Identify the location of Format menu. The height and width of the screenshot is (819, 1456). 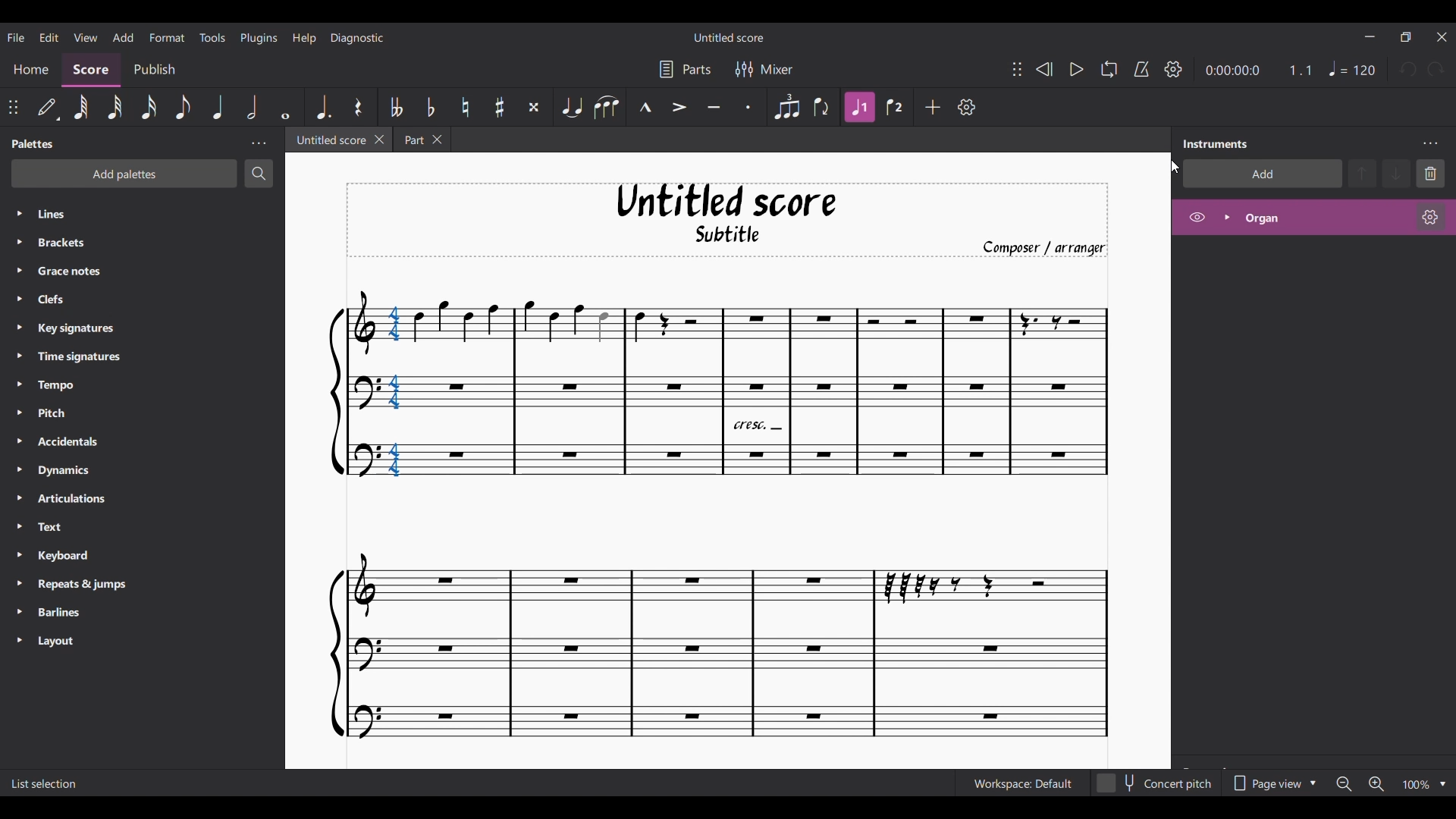
(167, 37).